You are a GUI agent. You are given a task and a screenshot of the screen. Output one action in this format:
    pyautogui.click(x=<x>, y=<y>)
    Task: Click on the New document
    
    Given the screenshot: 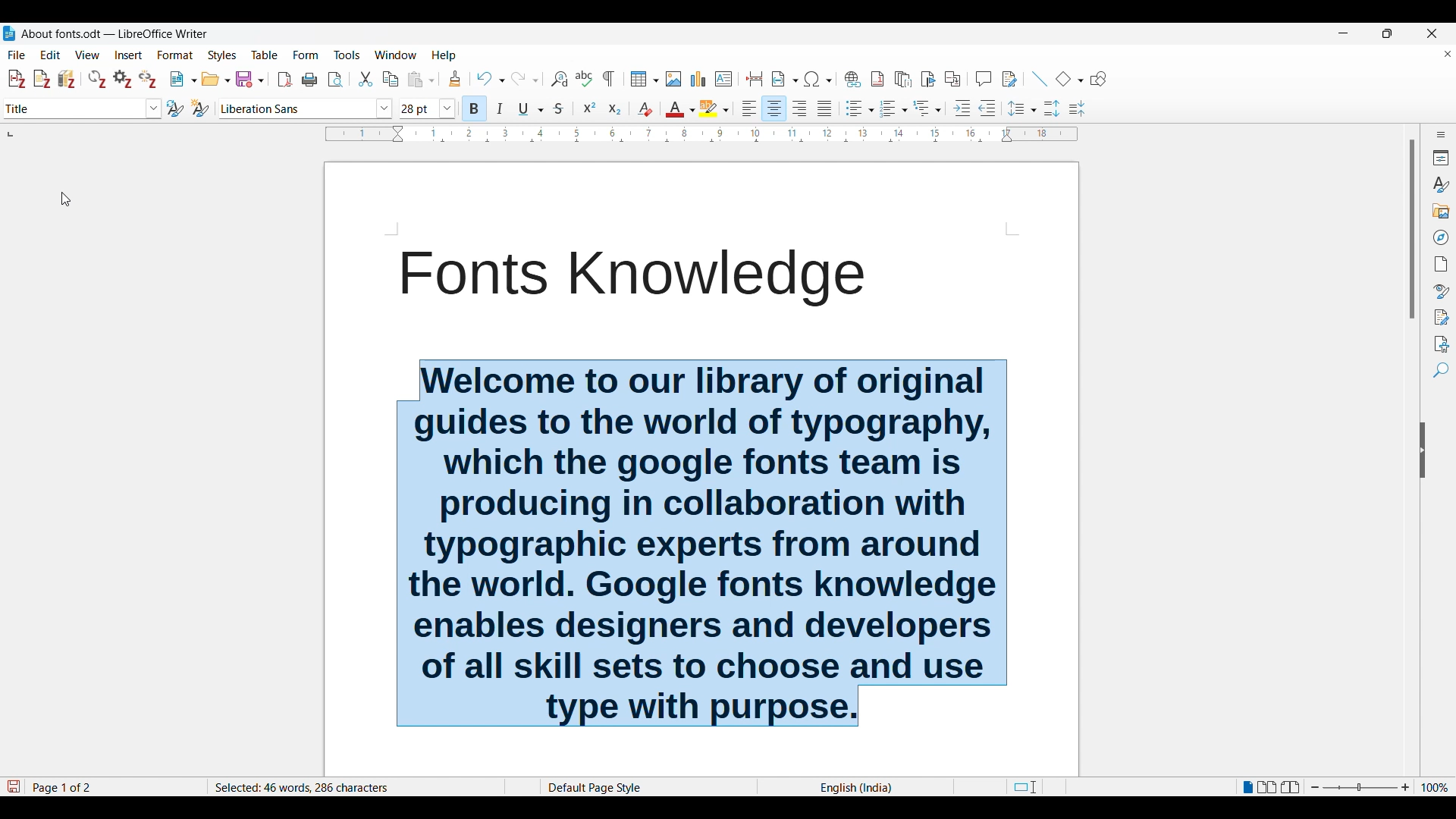 What is the action you would take?
    pyautogui.click(x=184, y=79)
    